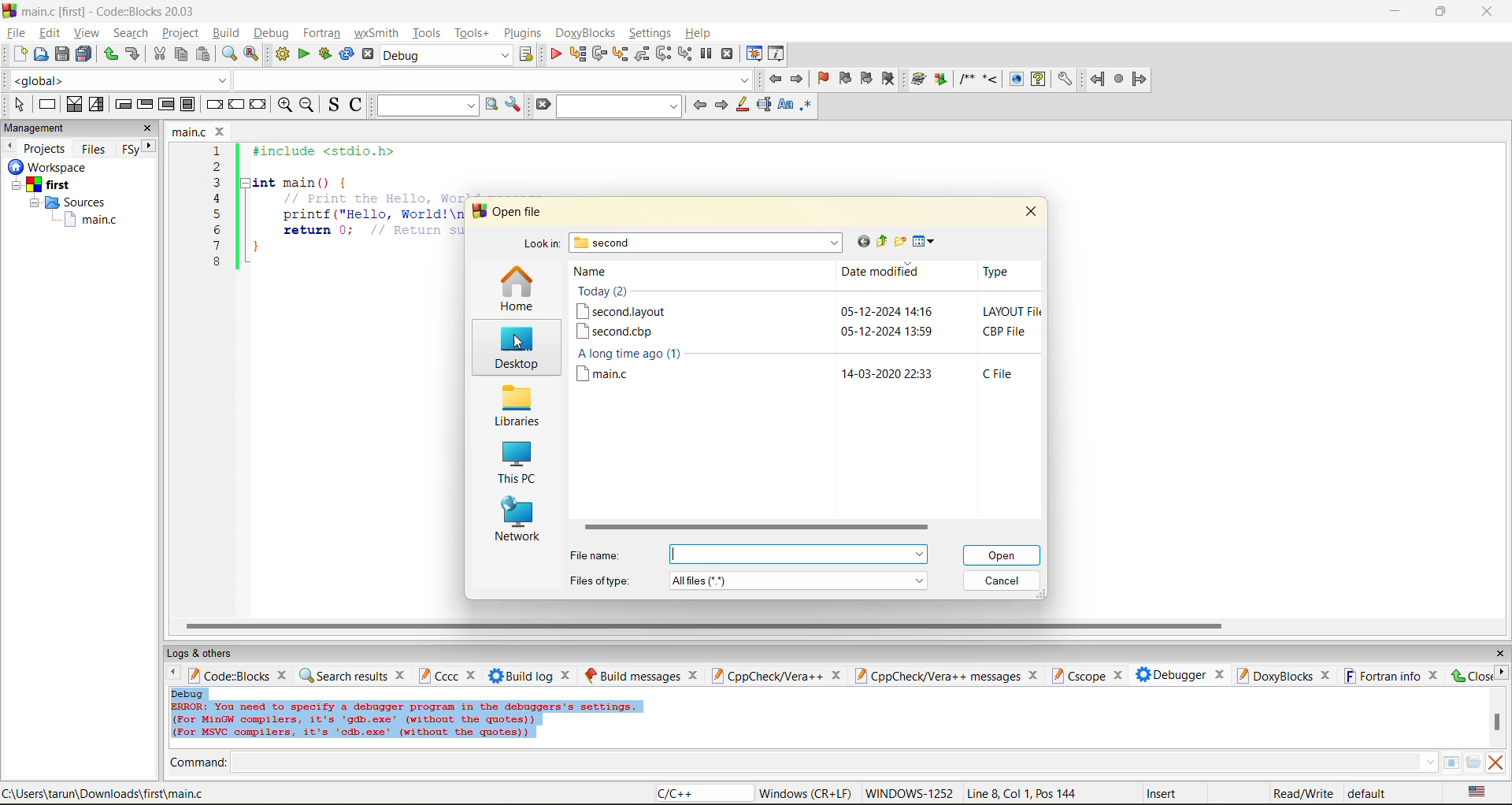 The width and height of the screenshot is (1512, 805). I want to click on various info, so click(777, 54).